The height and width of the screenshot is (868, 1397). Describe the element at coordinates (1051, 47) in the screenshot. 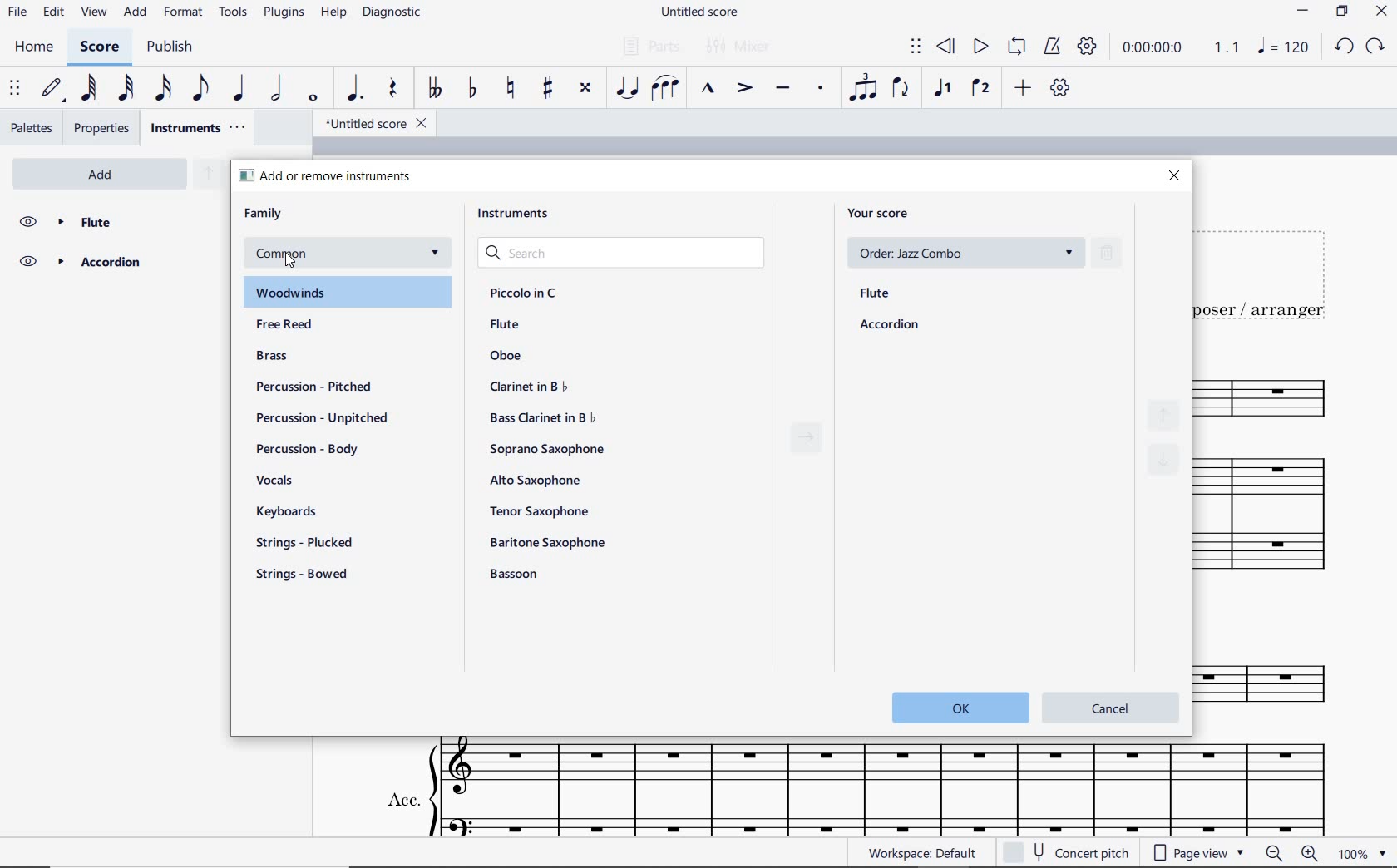

I see `metronome` at that location.